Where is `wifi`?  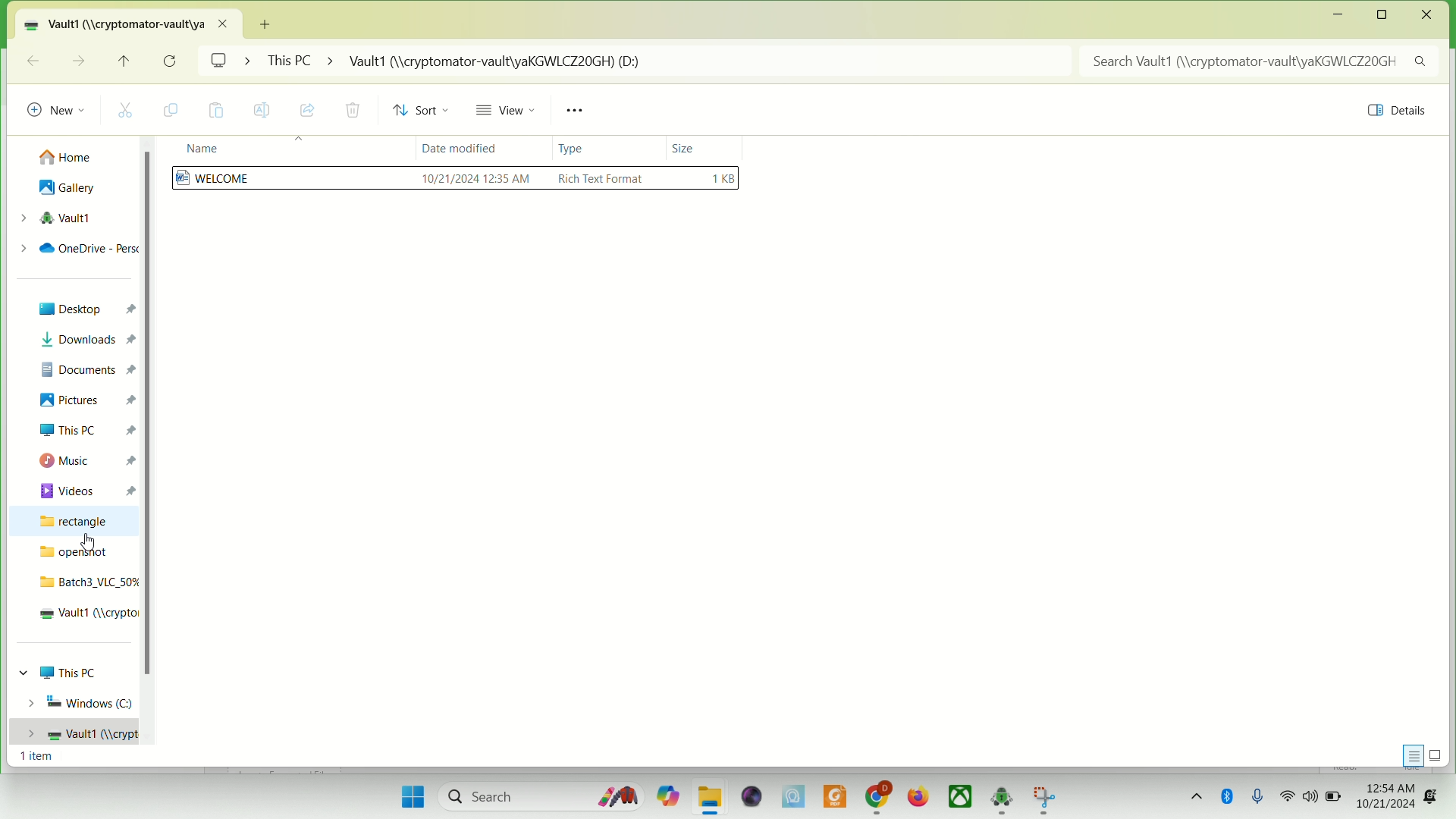
wifi is located at coordinates (1288, 796).